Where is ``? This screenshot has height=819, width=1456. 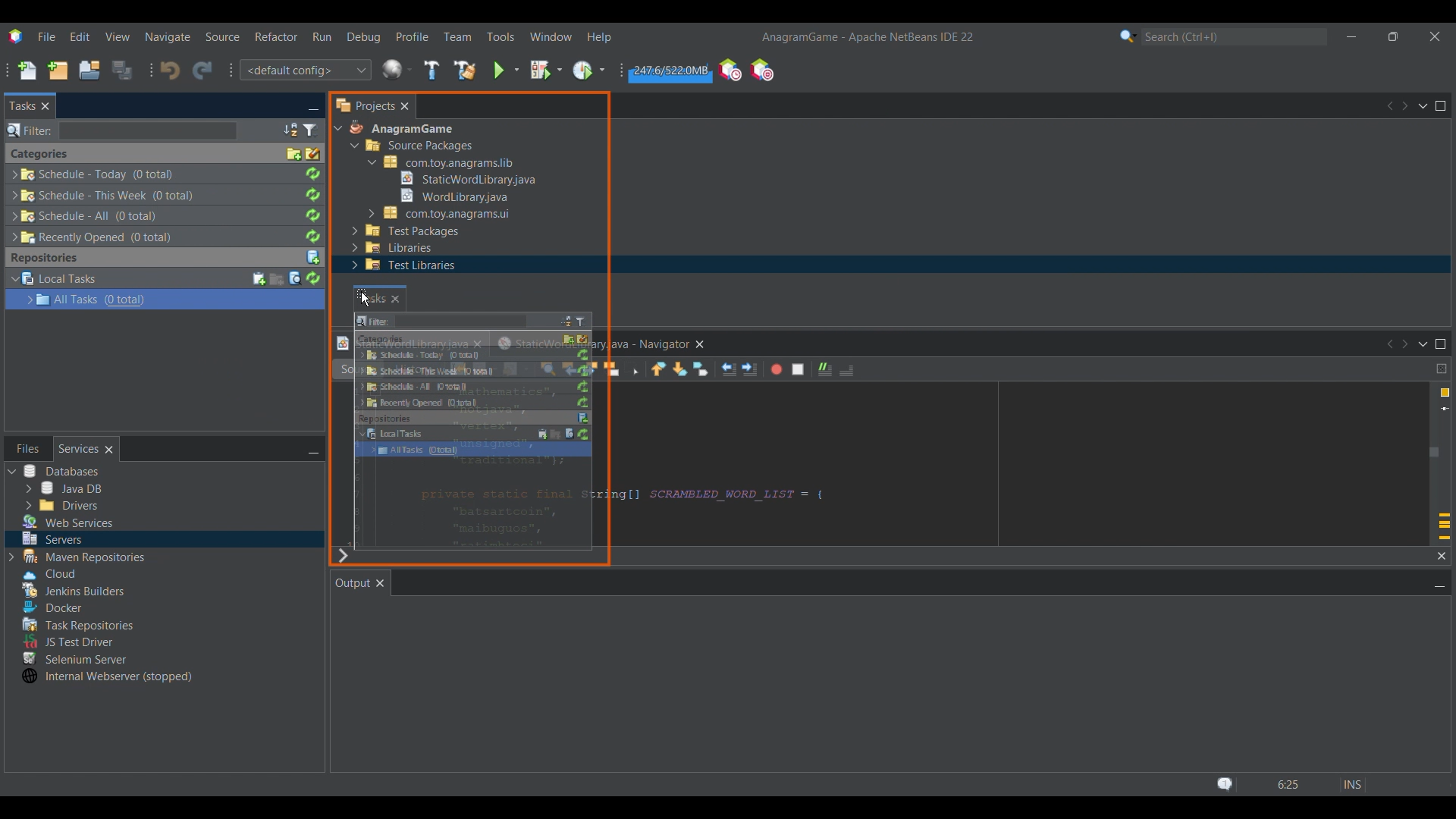
 is located at coordinates (472, 431).